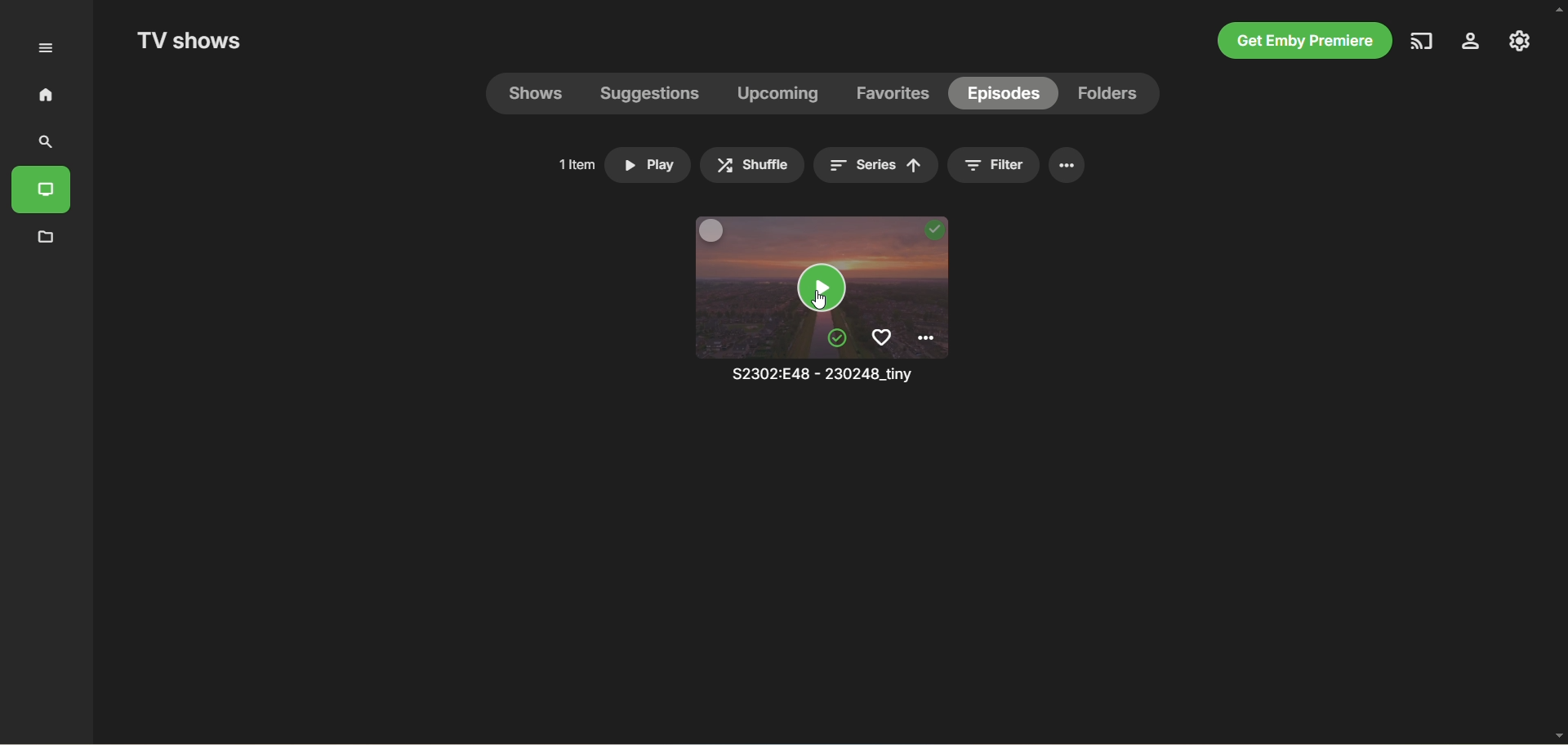 Image resolution: width=1568 pixels, height=745 pixels. Describe the element at coordinates (42, 143) in the screenshot. I see `search` at that location.